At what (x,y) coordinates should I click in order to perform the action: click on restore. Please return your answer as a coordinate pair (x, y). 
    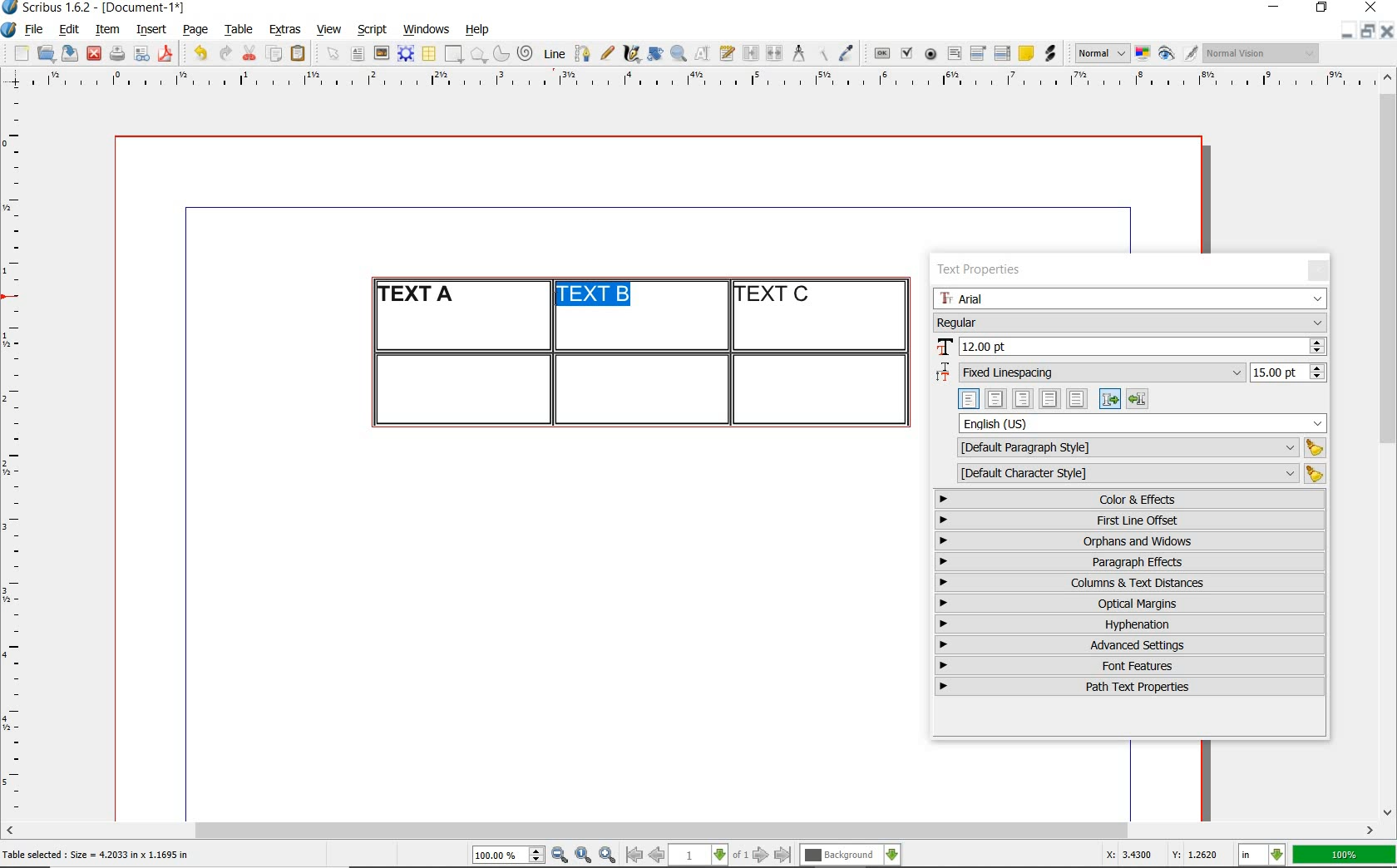
    Looking at the image, I should click on (1368, 30).